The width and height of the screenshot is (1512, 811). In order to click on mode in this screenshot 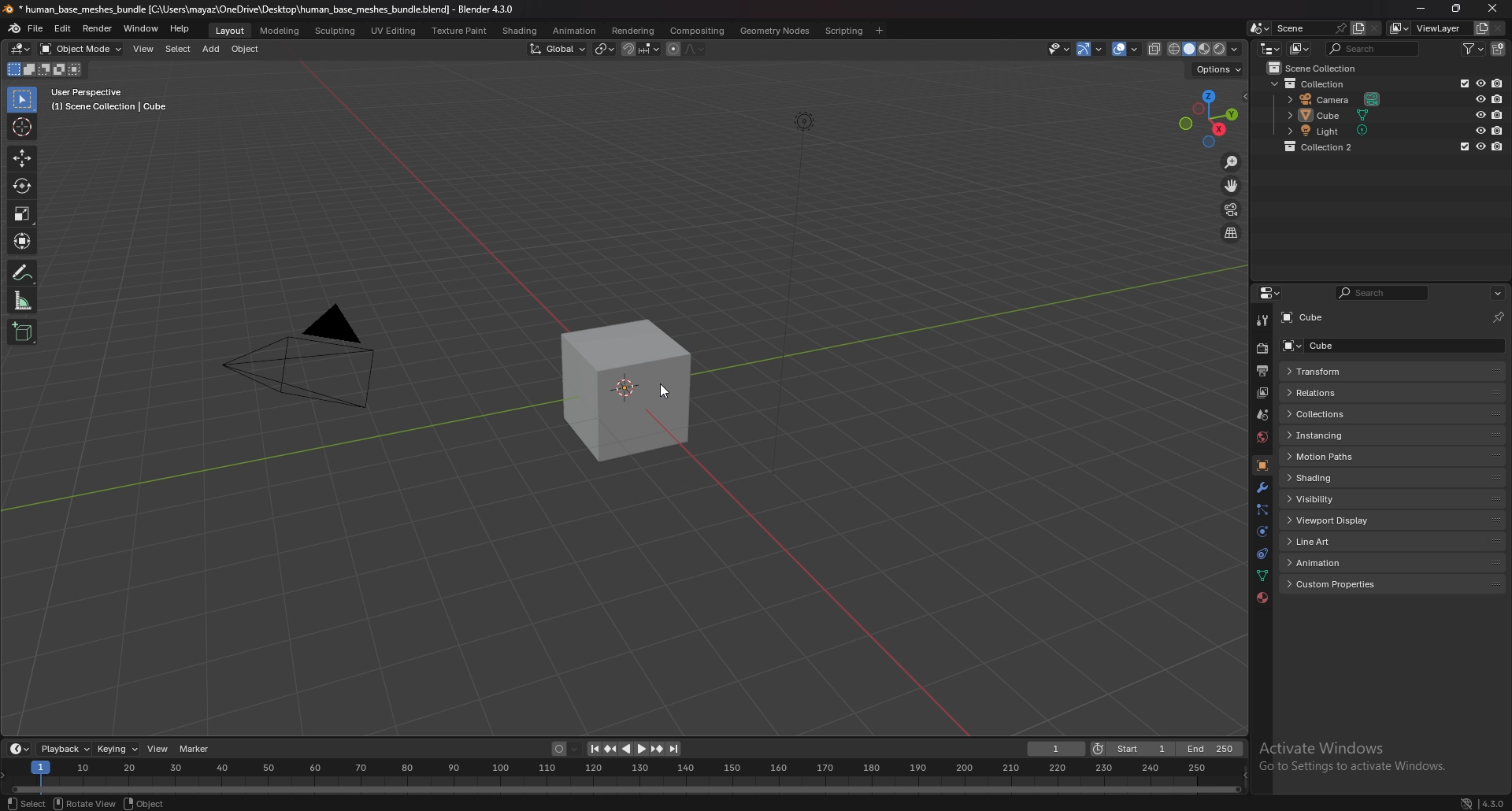, I will do `click(45, 71)`.